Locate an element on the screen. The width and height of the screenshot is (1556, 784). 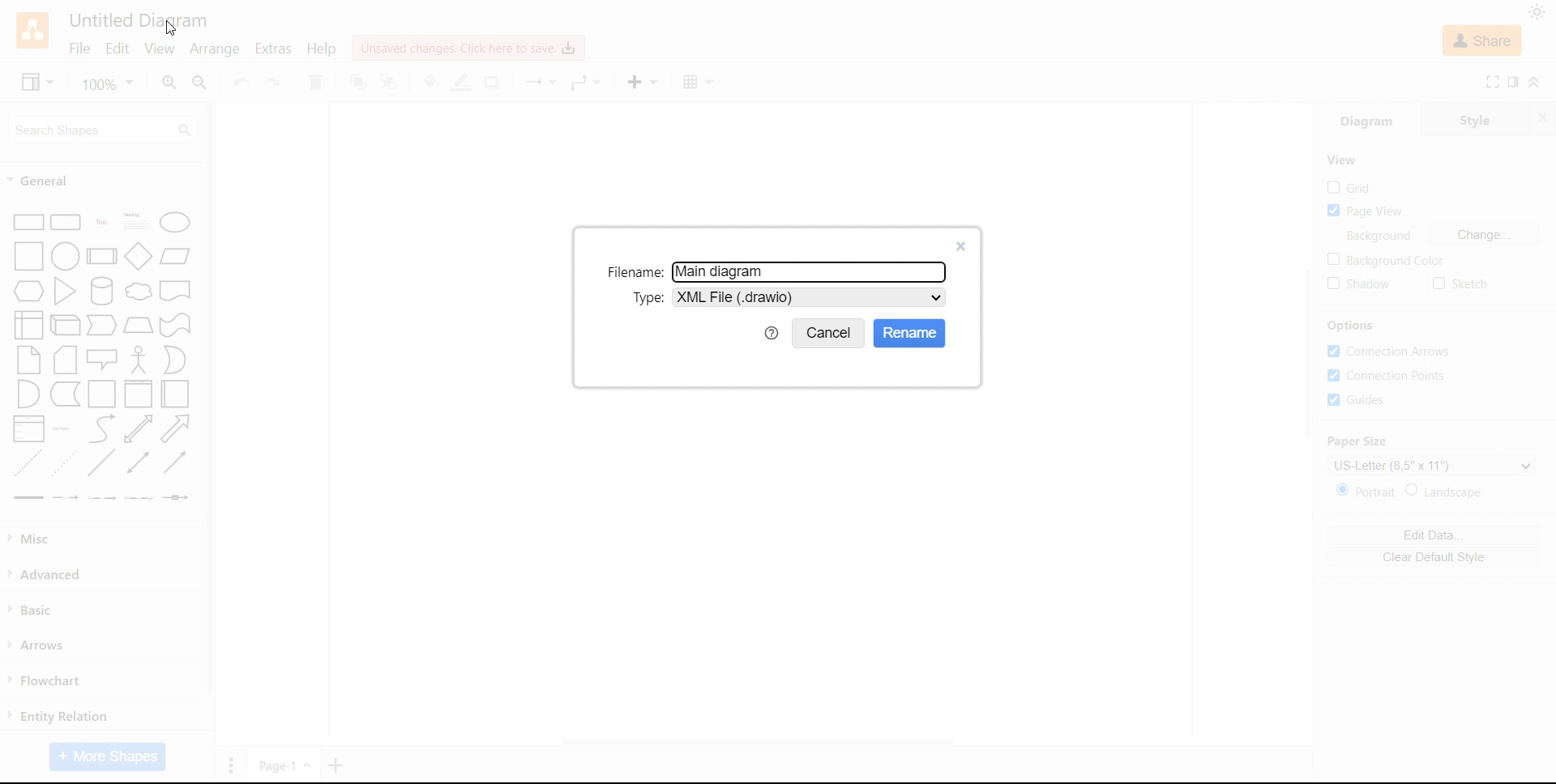
Delete  is located at coordinates (316, 82).